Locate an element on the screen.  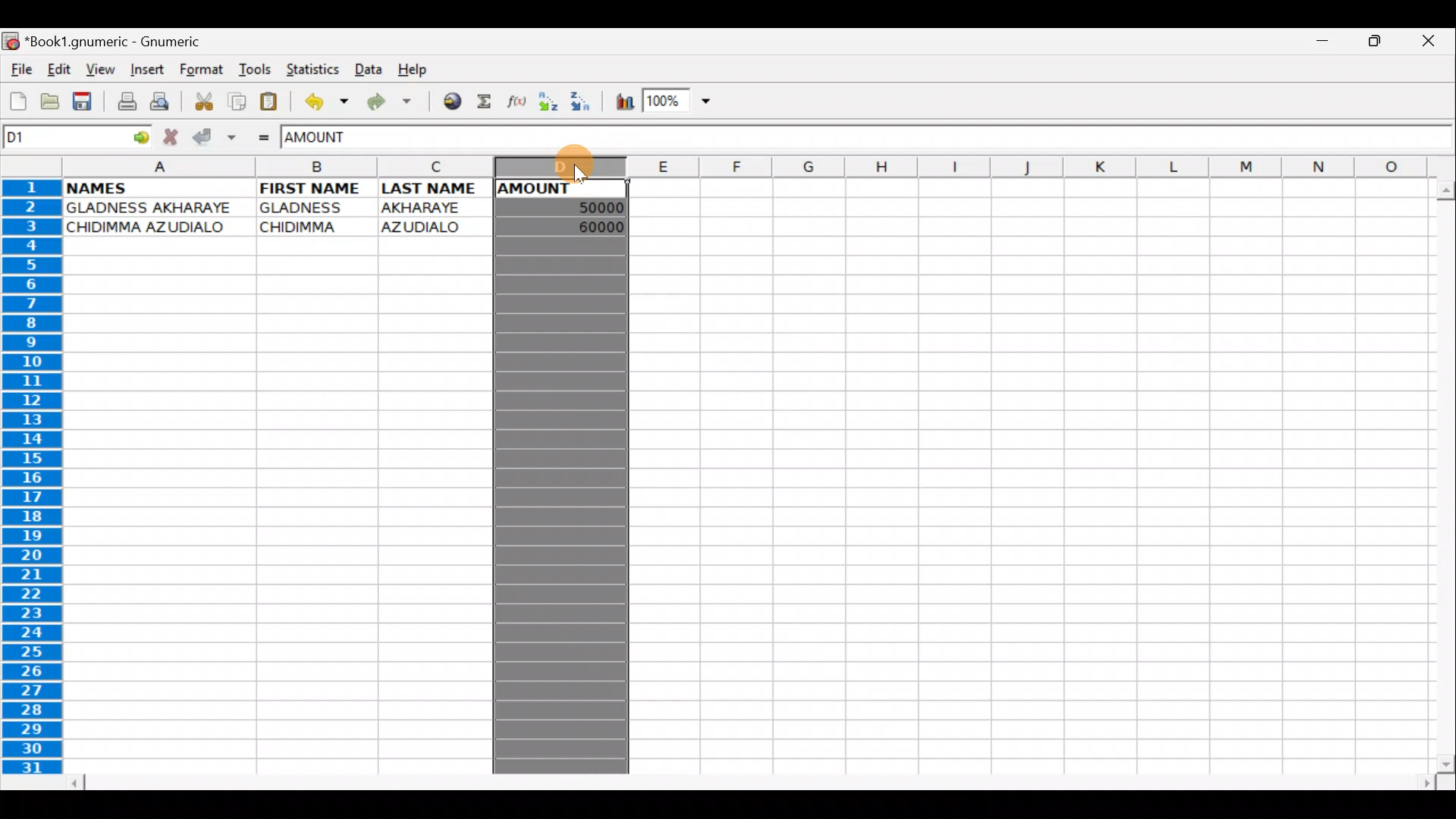
Create new workbook is located at coordinates (17, 102).